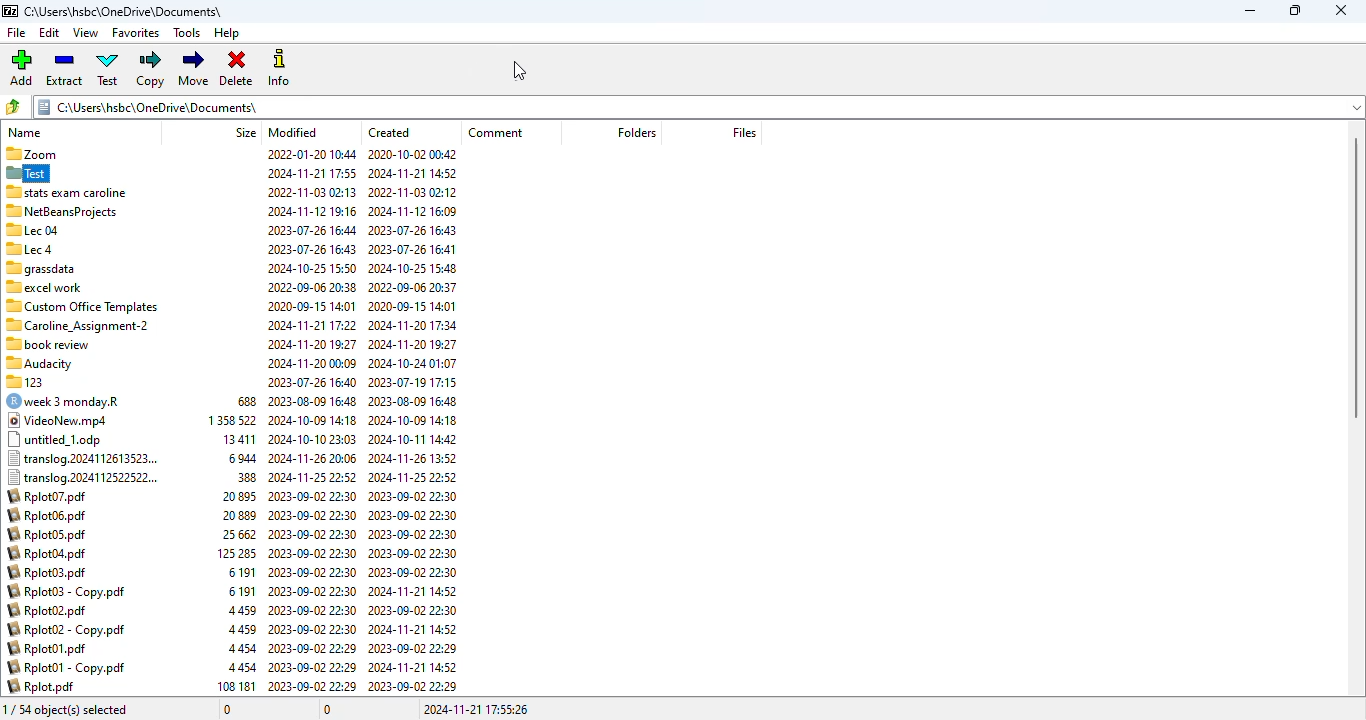 This screenshot has height=720, width=1366. Describe the element at coordinates (226, 33) in the screenshot. I see `help` at that location.